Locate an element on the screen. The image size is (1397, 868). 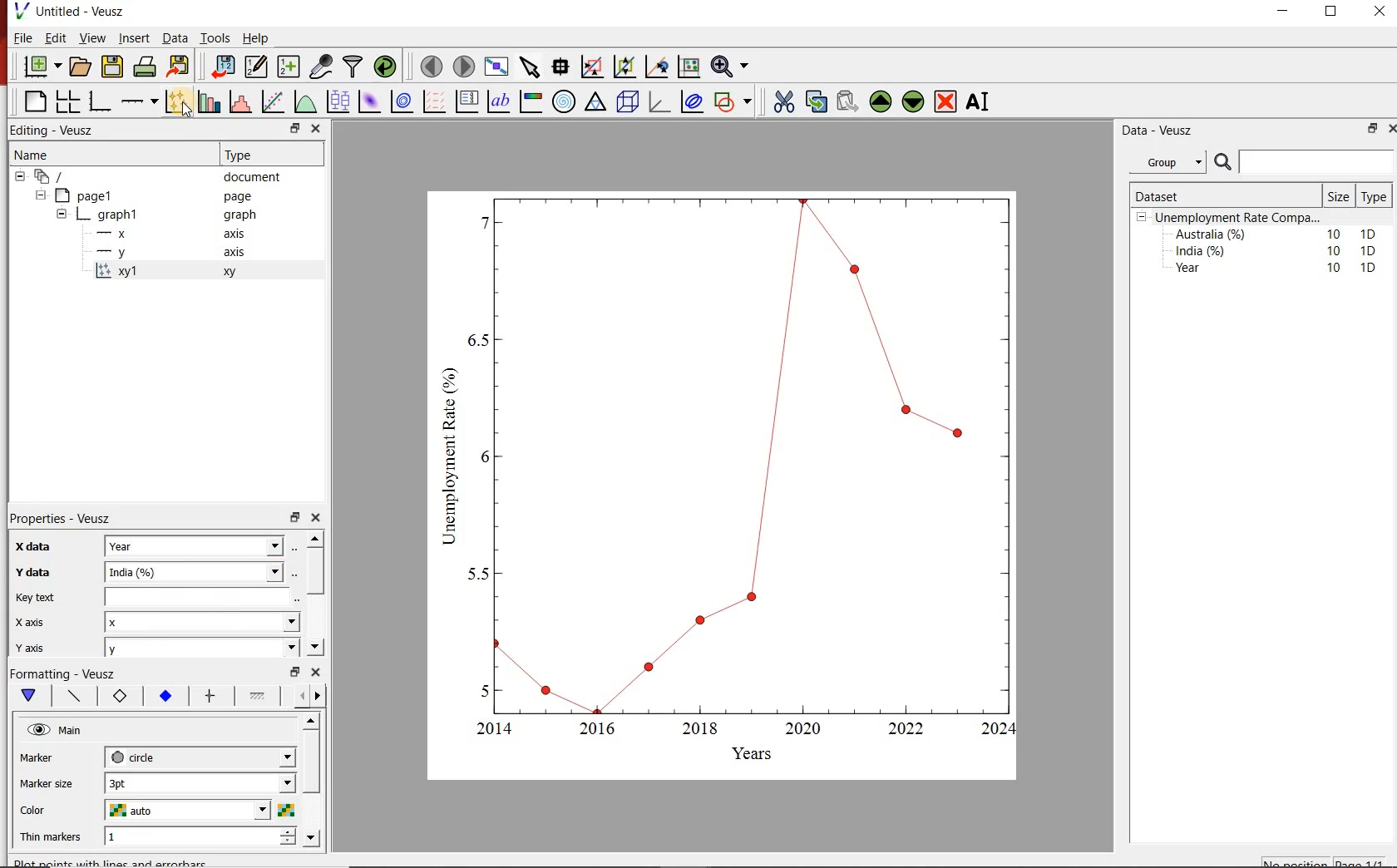
plot line is located at coordinates (76, 697).